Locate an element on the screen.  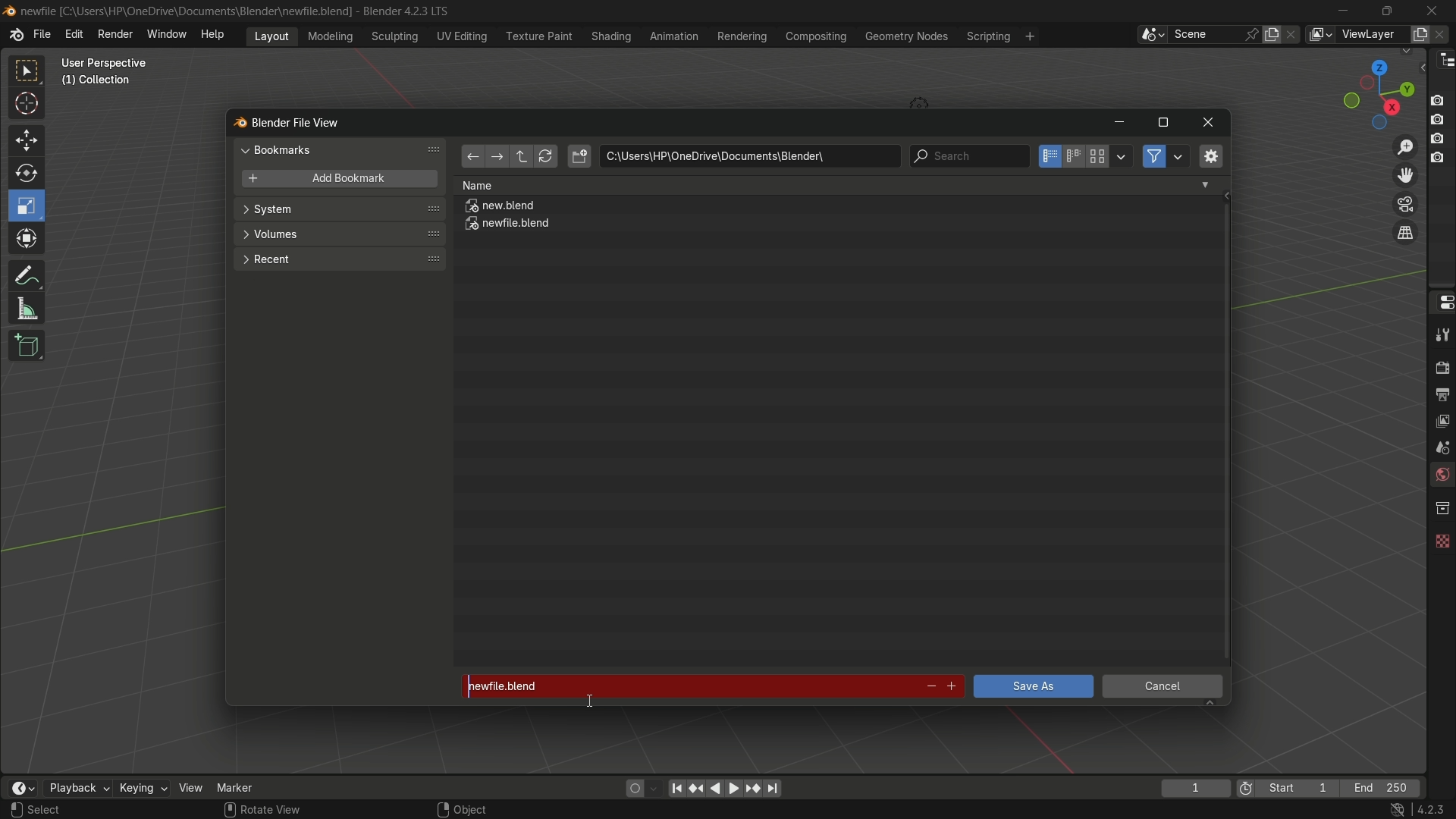
minimize is located at coordinates (1119, 124).